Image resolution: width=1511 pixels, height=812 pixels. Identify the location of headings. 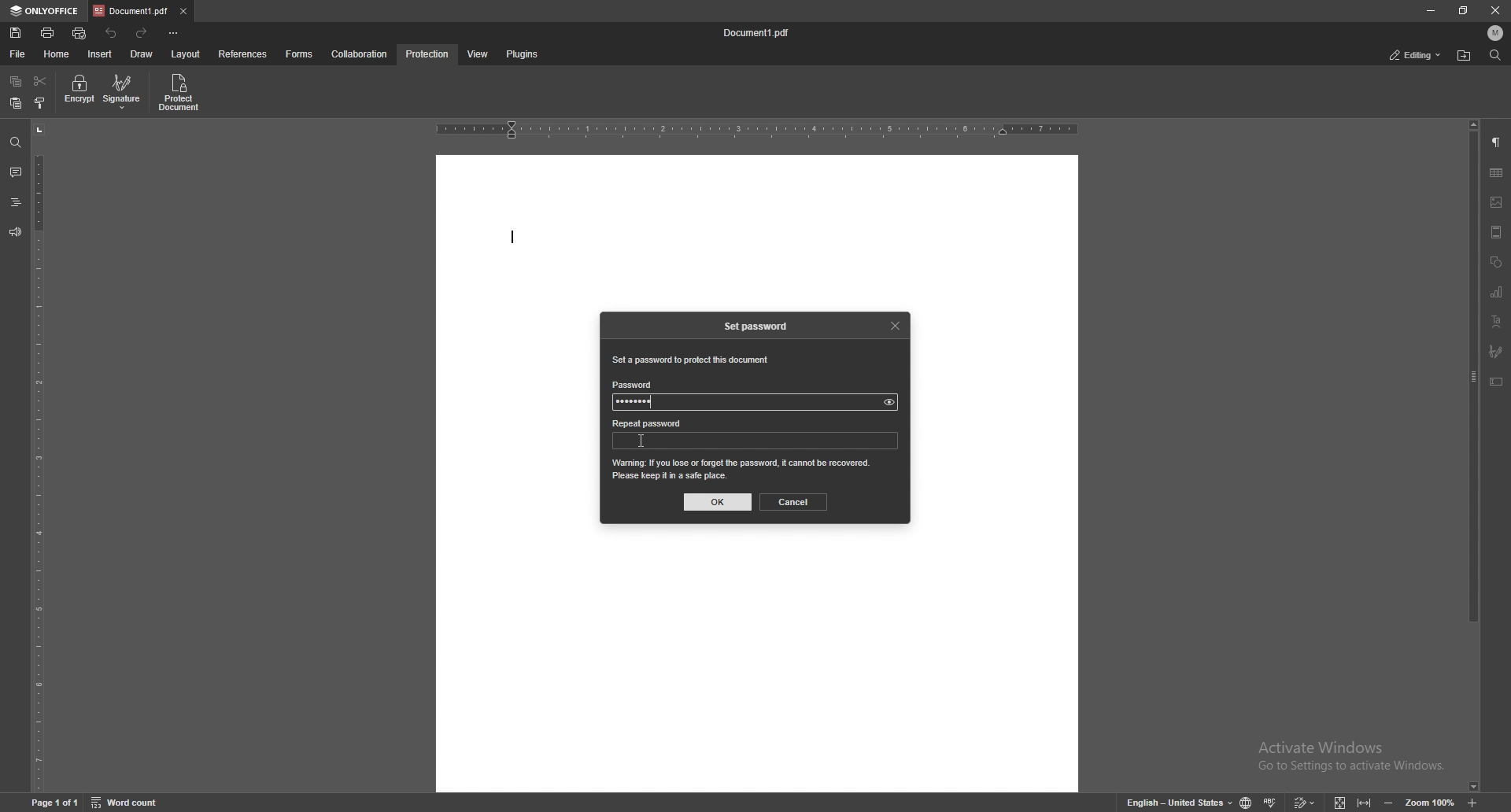
(14, 202).